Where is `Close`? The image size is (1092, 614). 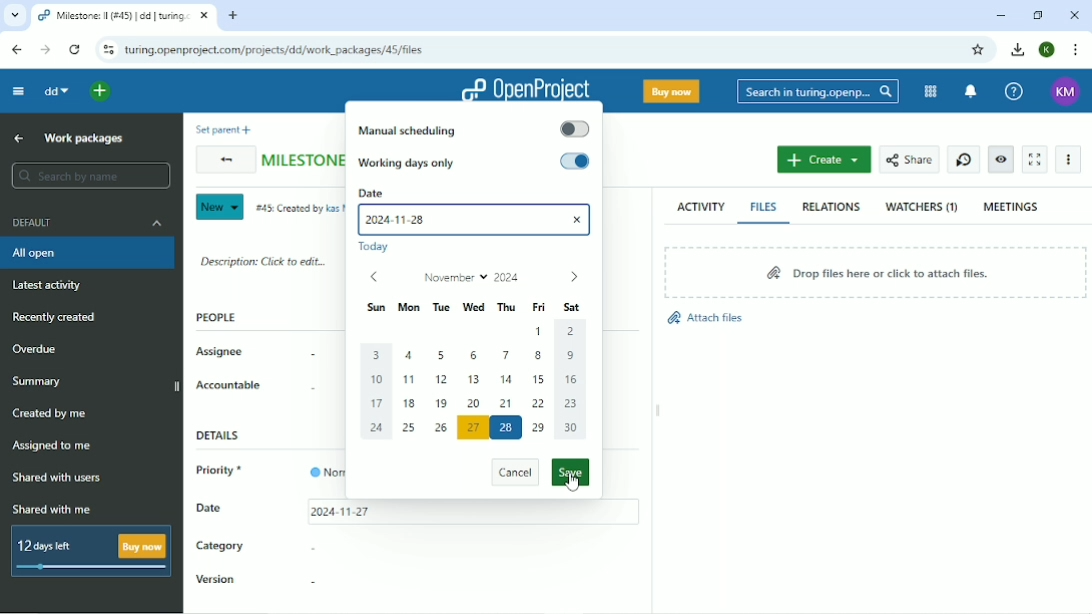 Close is located at coordinates (1075, 14).